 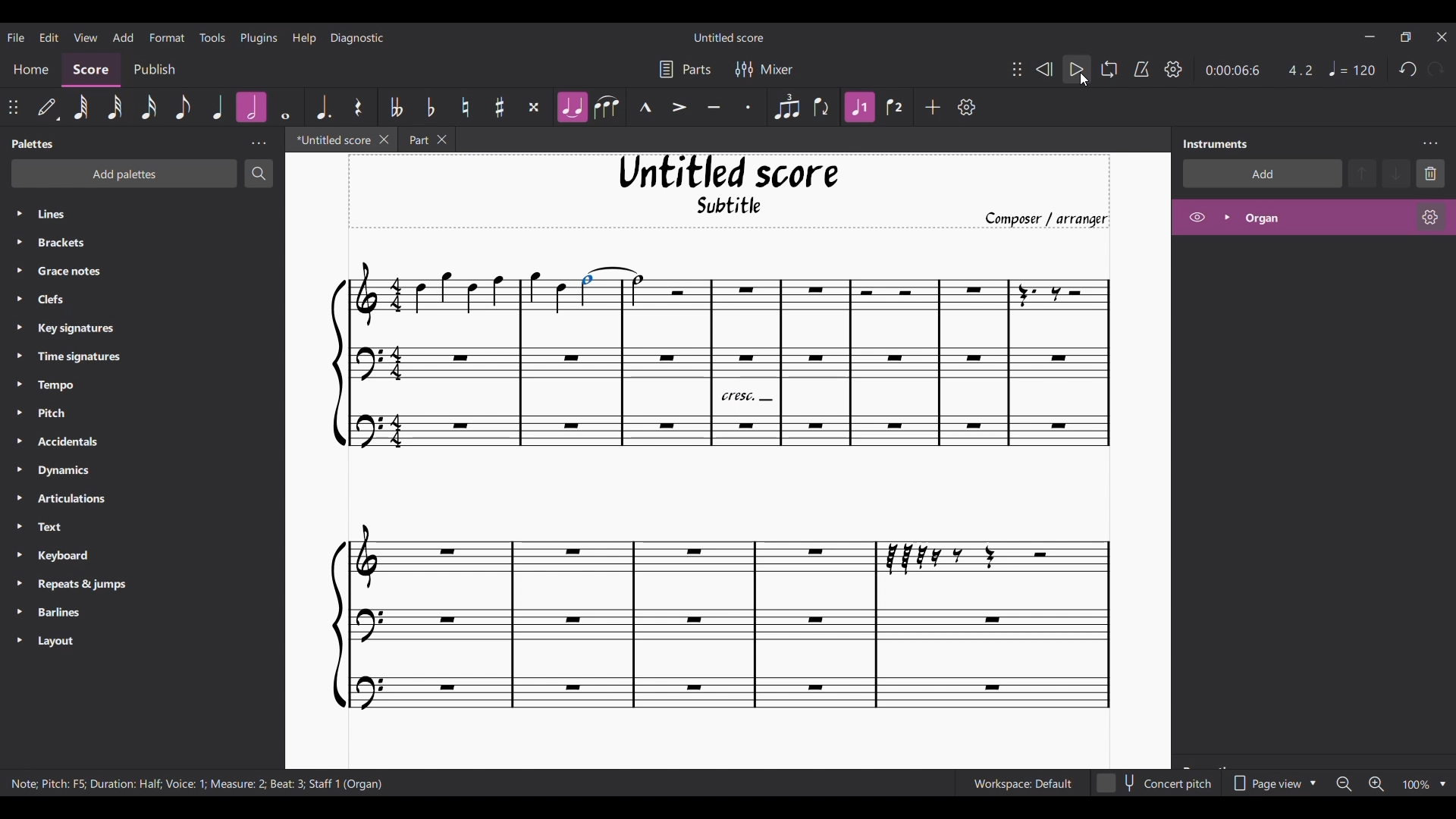 What do you see at coordinates (85, 36) in the screenshot?
I see `View menu` at bounding box center [85, 36].